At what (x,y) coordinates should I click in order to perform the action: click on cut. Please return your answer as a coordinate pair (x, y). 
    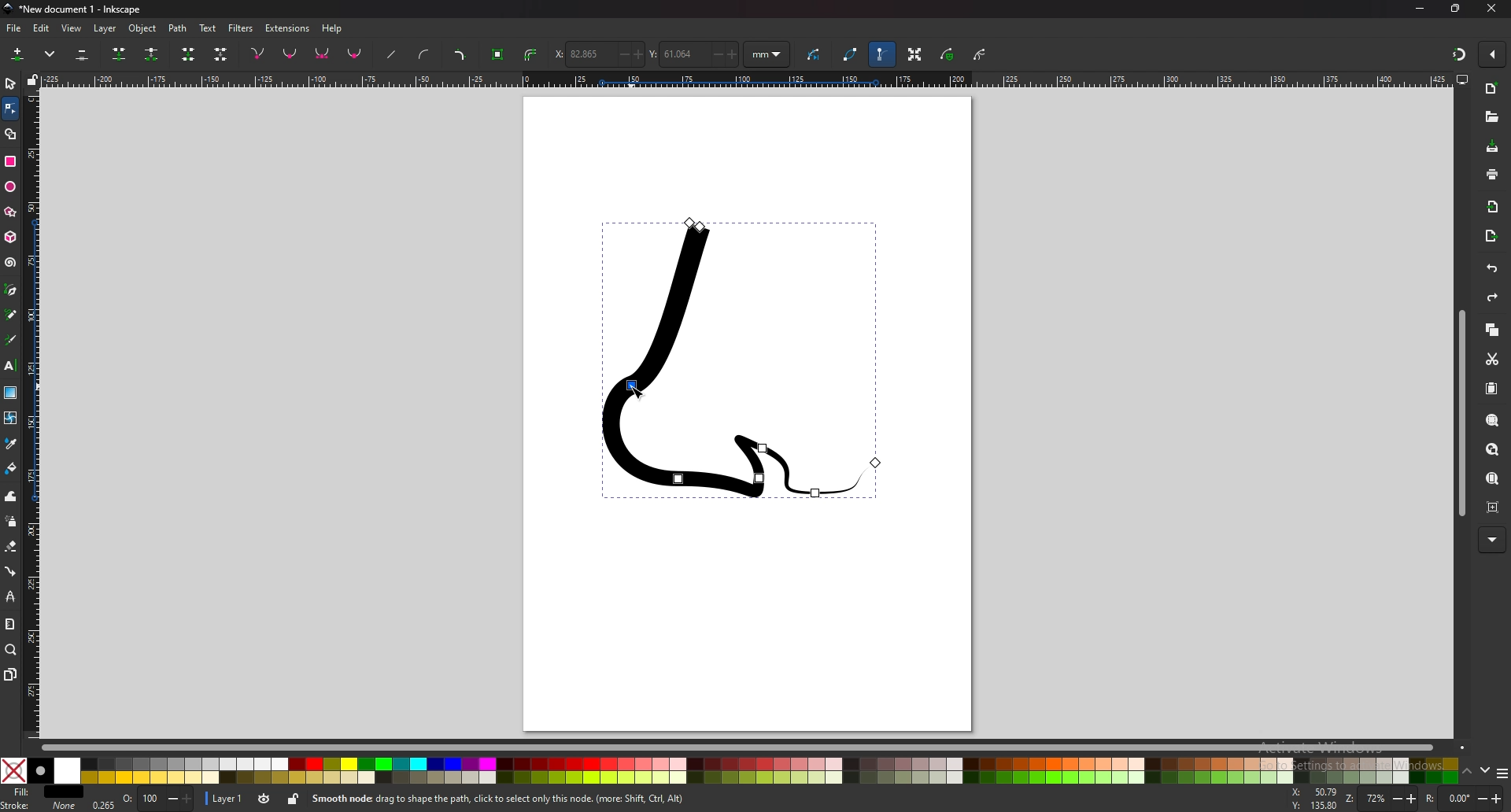
    Looking at the image, I should click on (1491, 359).